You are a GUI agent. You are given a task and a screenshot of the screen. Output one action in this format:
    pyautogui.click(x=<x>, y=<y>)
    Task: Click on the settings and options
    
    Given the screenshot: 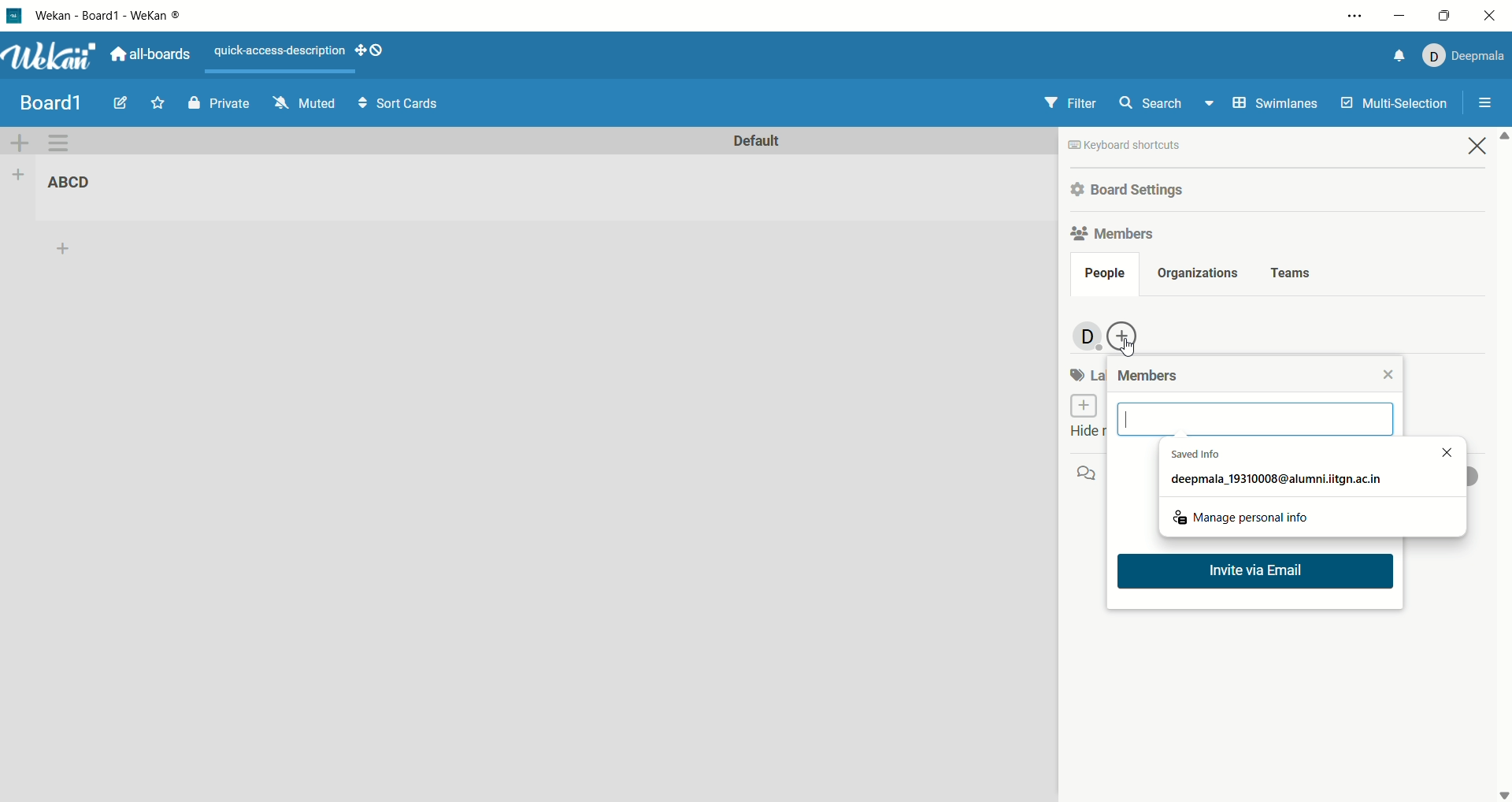 What is the action you would take?
    pyautogui.click(x=1355, y=17)
    